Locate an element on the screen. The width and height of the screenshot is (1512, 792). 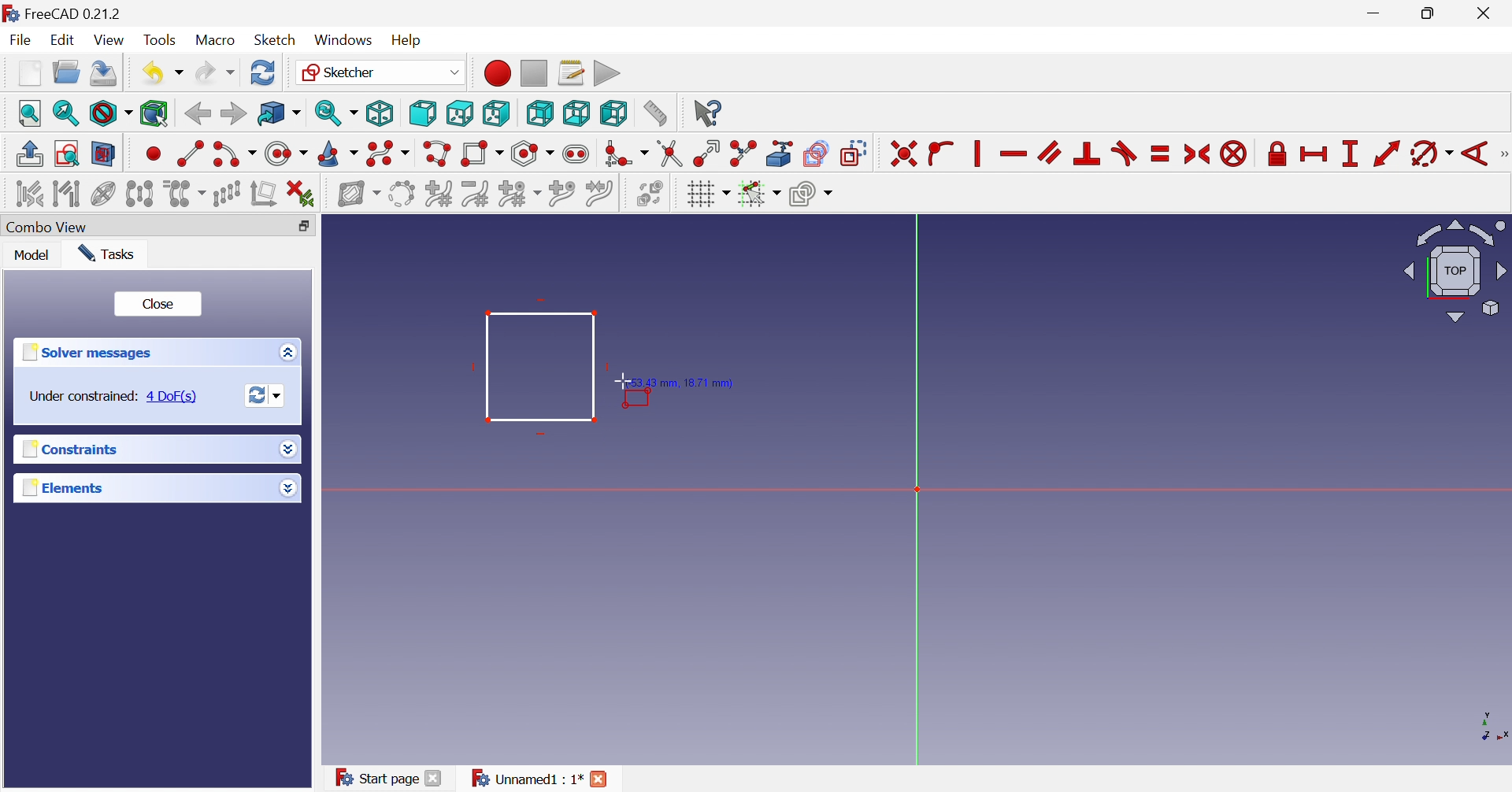
Constrain vertically is located at coordinates (975, 154).